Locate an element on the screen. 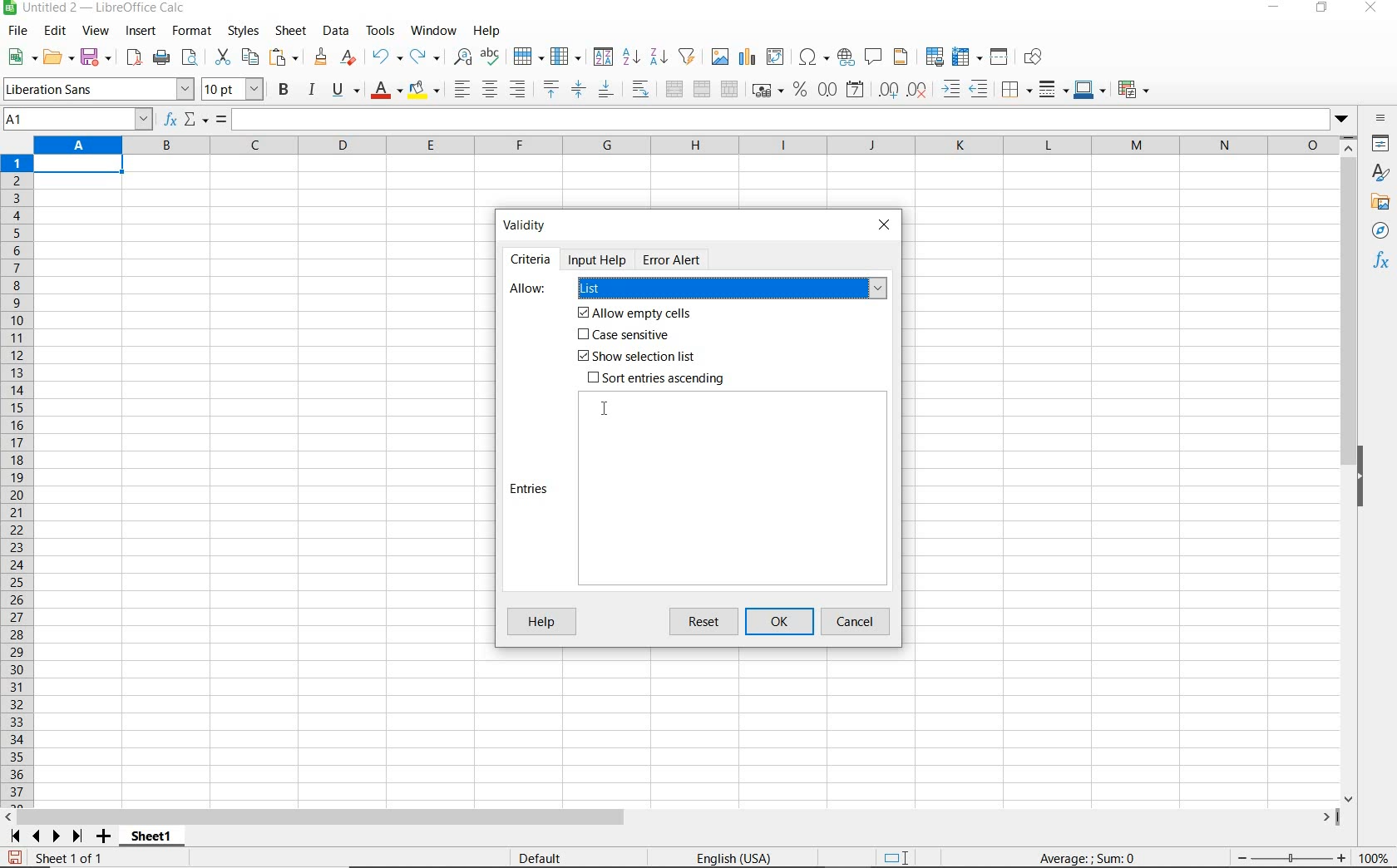  sheet is located at coordinates (292, 32).